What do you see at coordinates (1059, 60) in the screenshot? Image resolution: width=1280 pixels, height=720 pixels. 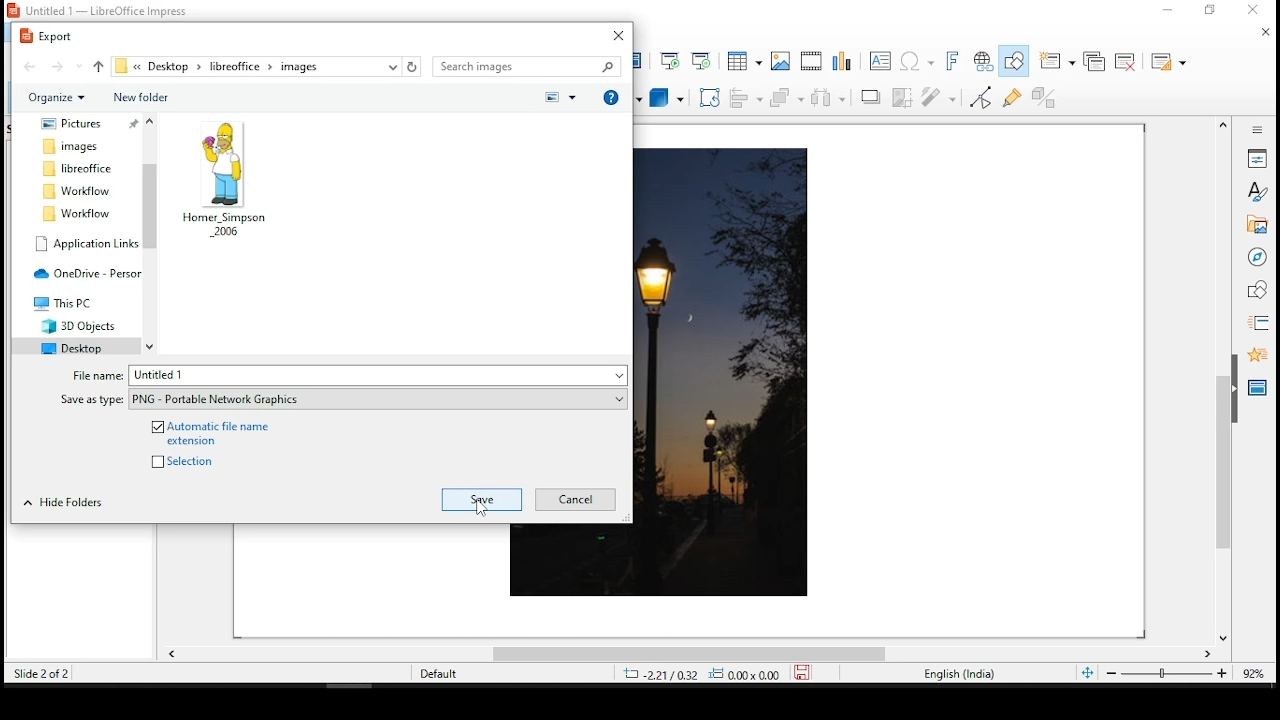 I see `new slide` at bounding box center [1059, 60].